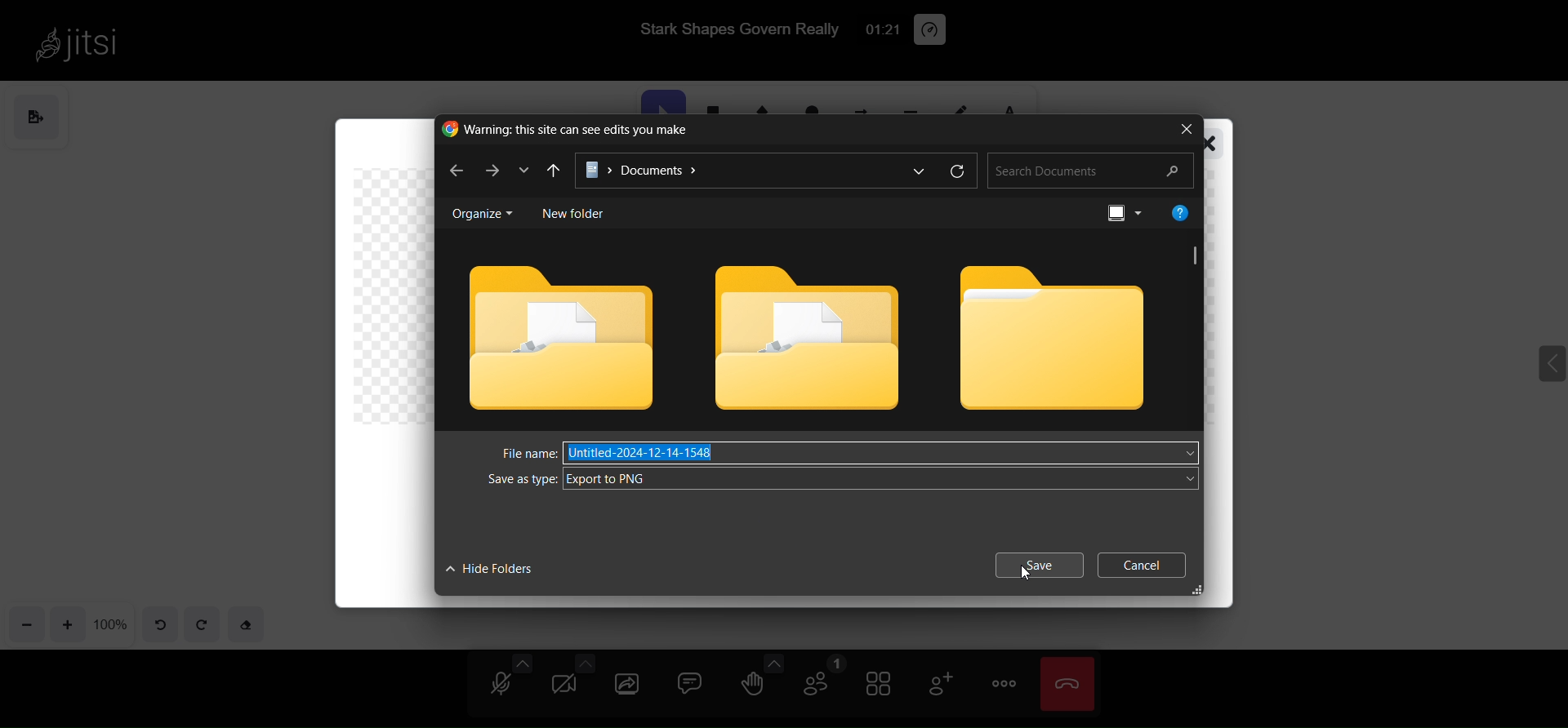 This screenshot has height=728, width=1568. Describe the element at coordinates (733, 28) in the screenshot. I see `Stark Shapes Govern Really` at that location.